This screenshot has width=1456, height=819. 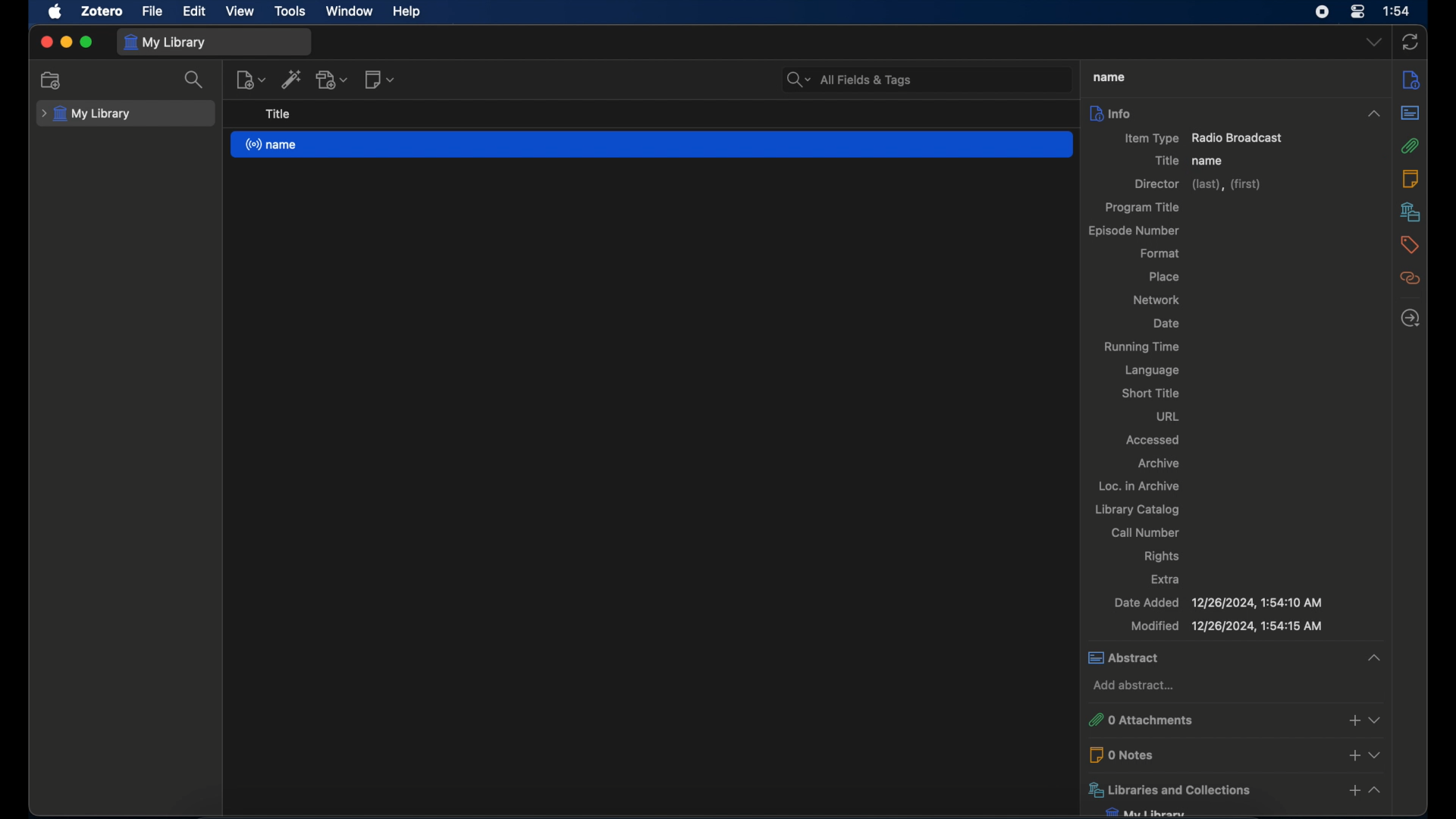 What do you see at coordinates (381, 79) in the screenshot?
I see `new note` at bounding box center [381, 79].